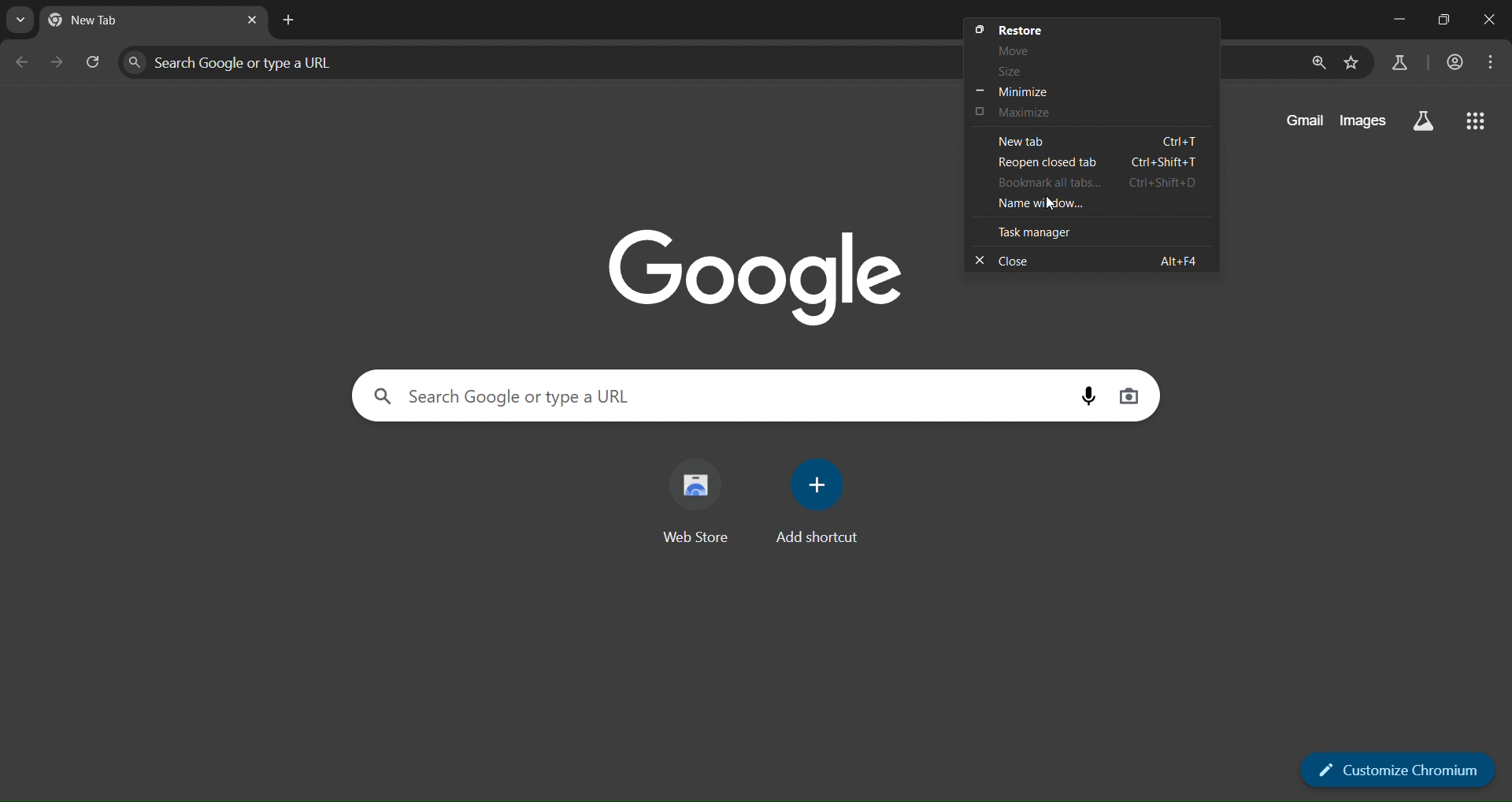  Describe the element at coordinates (747, 273) in the screenshot. I see `Google logo` at that location.